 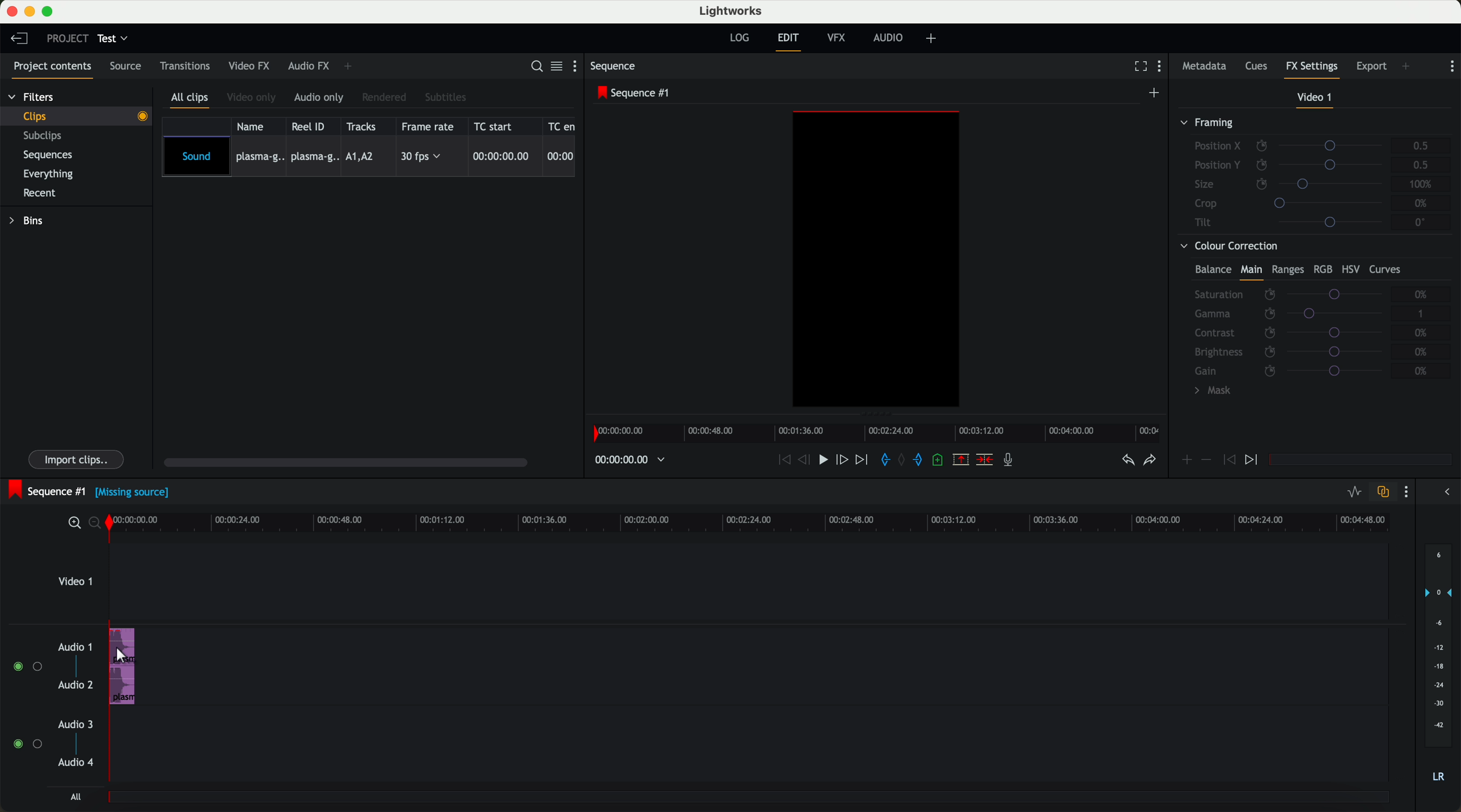 What do you see at coordinates (733, 11) in the screenshot?
I see `lightworks` at bounding box center [733, 11].